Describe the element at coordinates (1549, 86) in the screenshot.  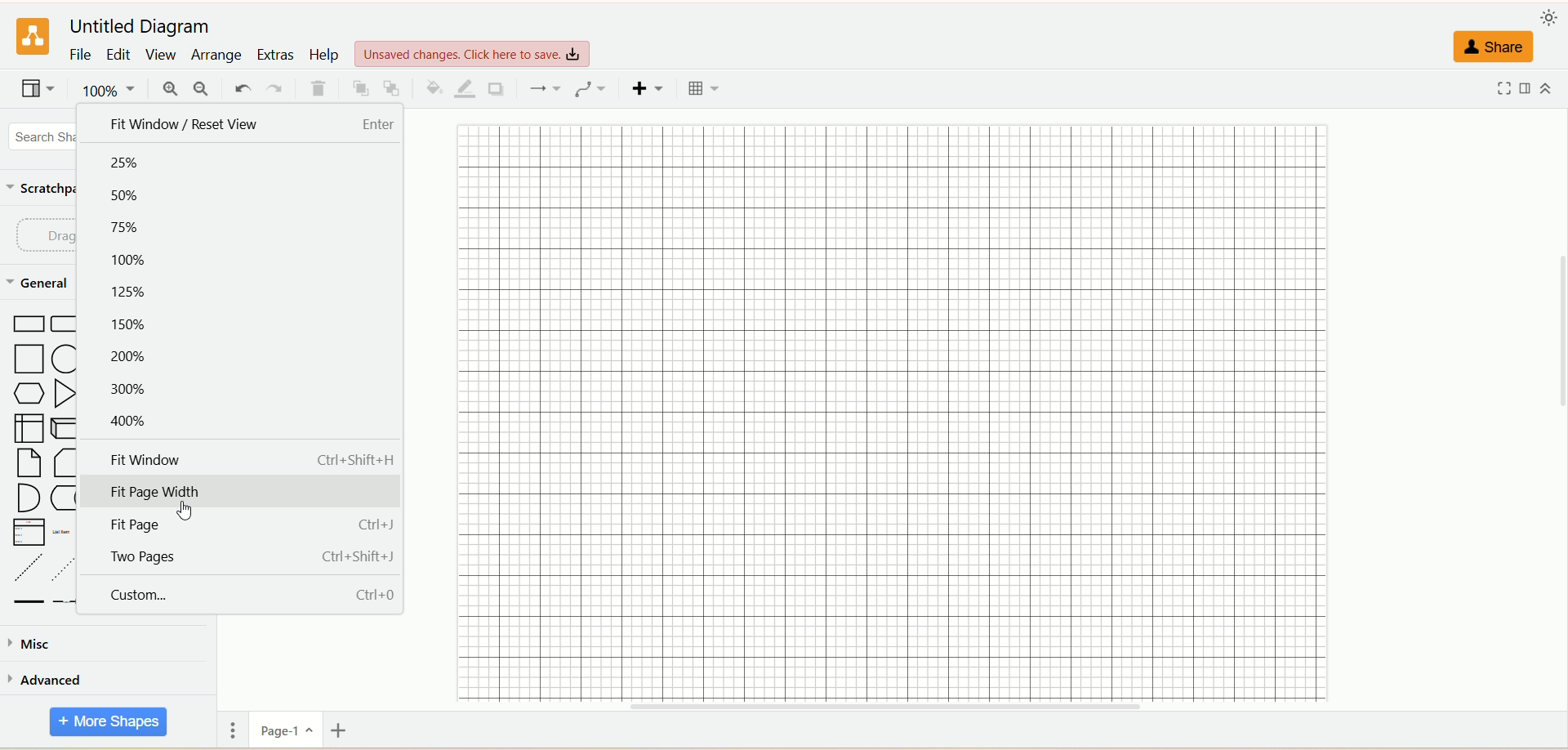
I see `expand/collapse` at that location.